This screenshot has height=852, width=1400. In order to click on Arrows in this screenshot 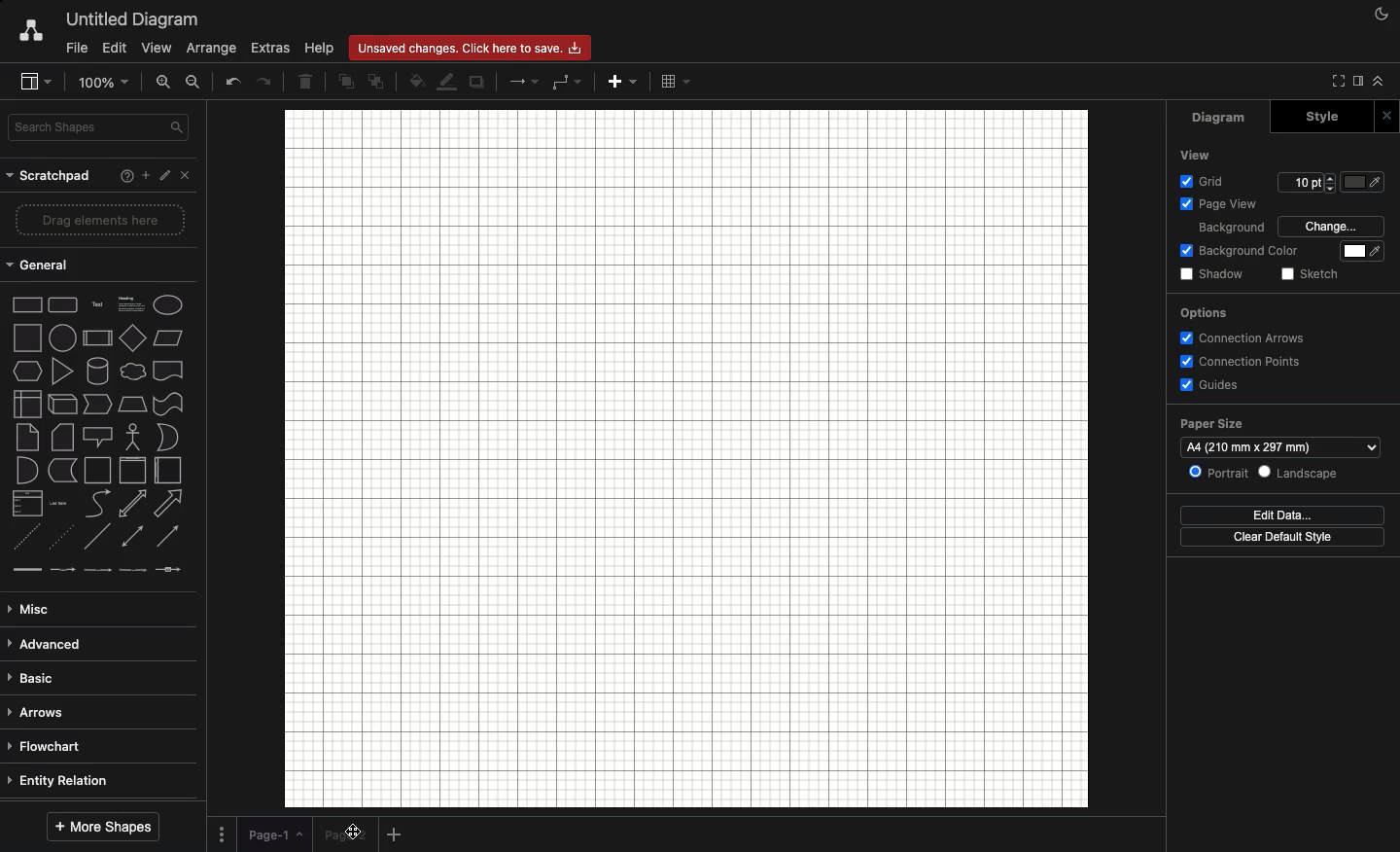, I will do `click(40, 713)`.